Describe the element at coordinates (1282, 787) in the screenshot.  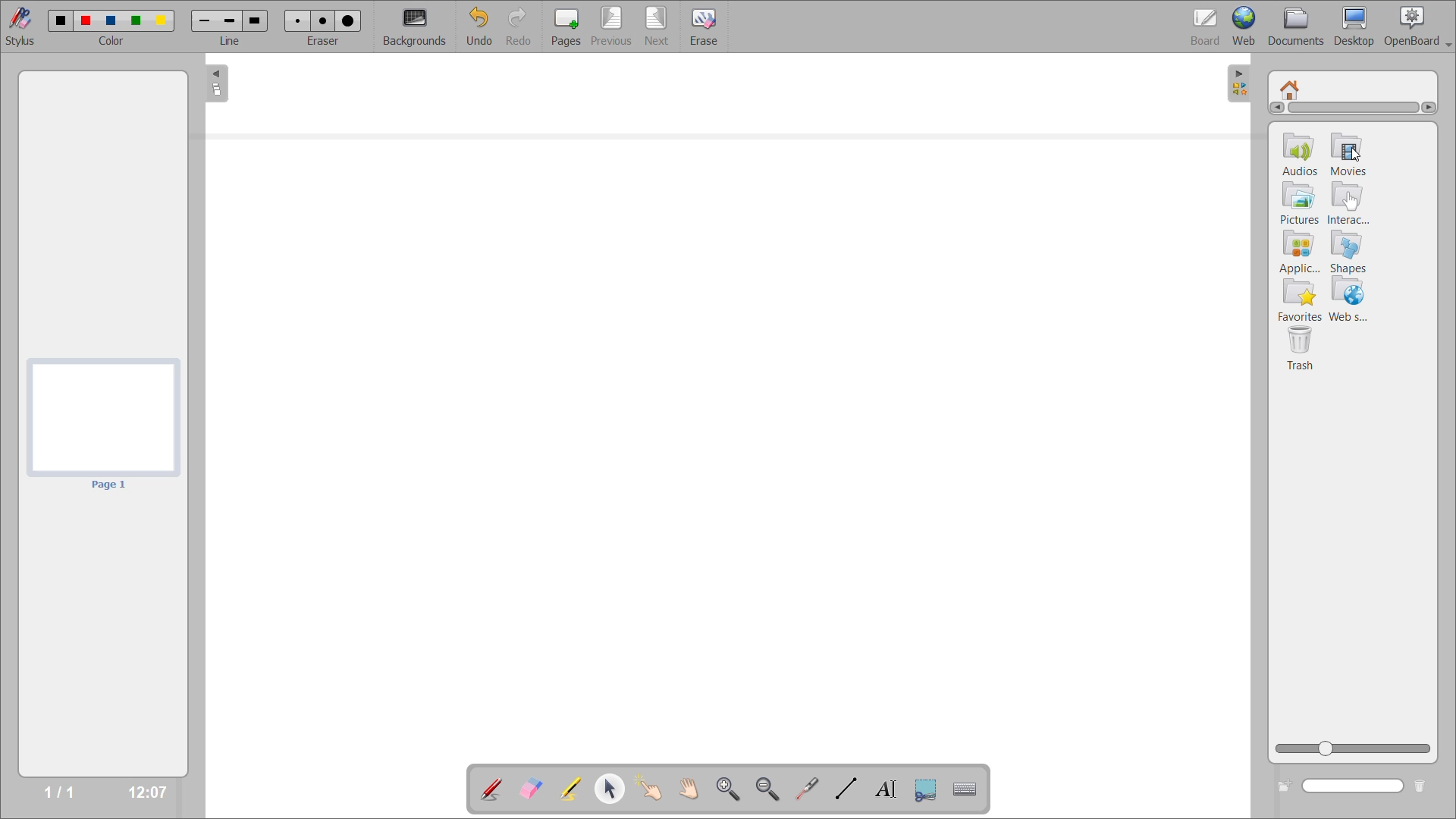
I see `create new folder` at that location.